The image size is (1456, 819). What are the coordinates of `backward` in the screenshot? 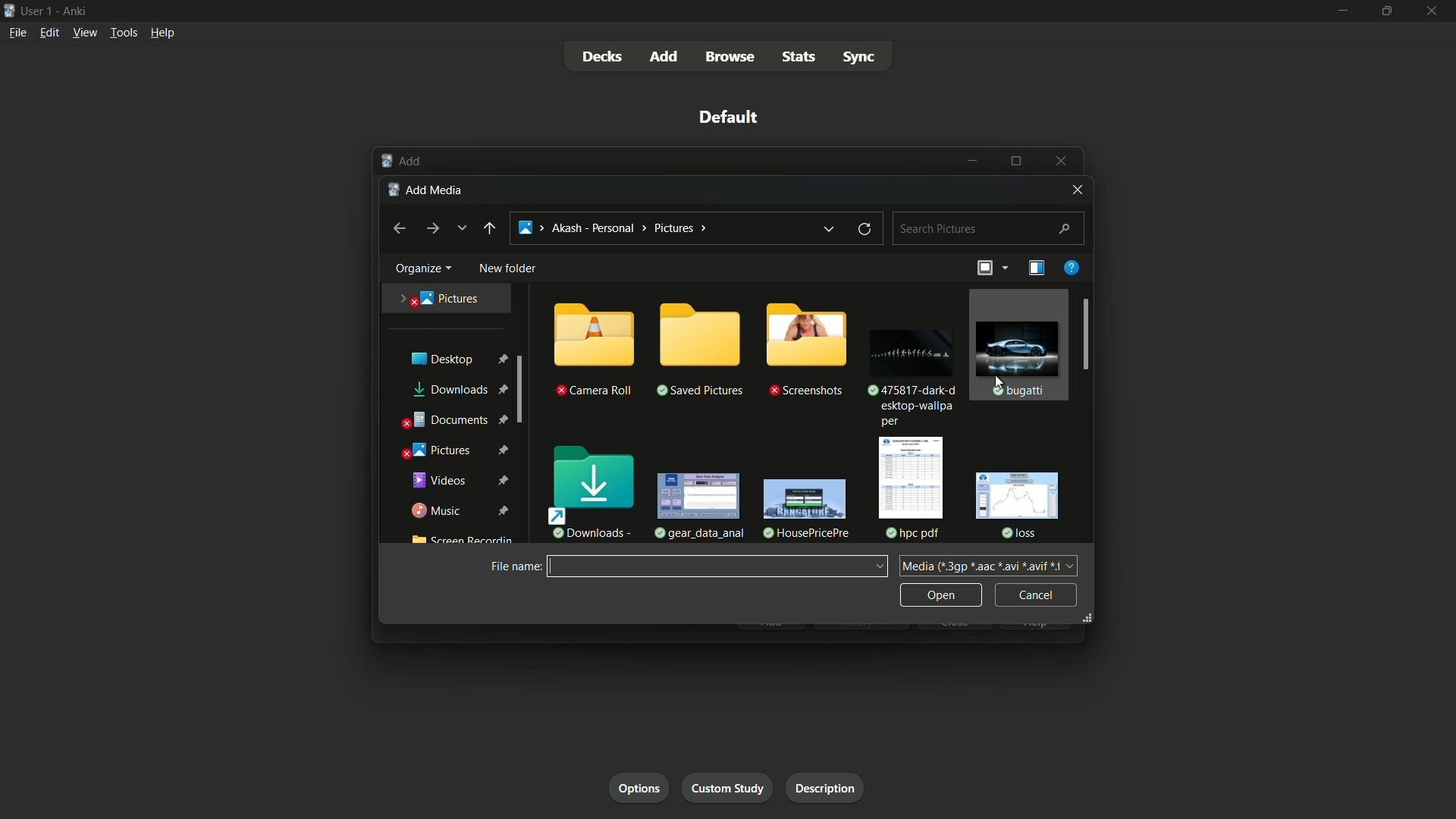 It's located at (397, 229).